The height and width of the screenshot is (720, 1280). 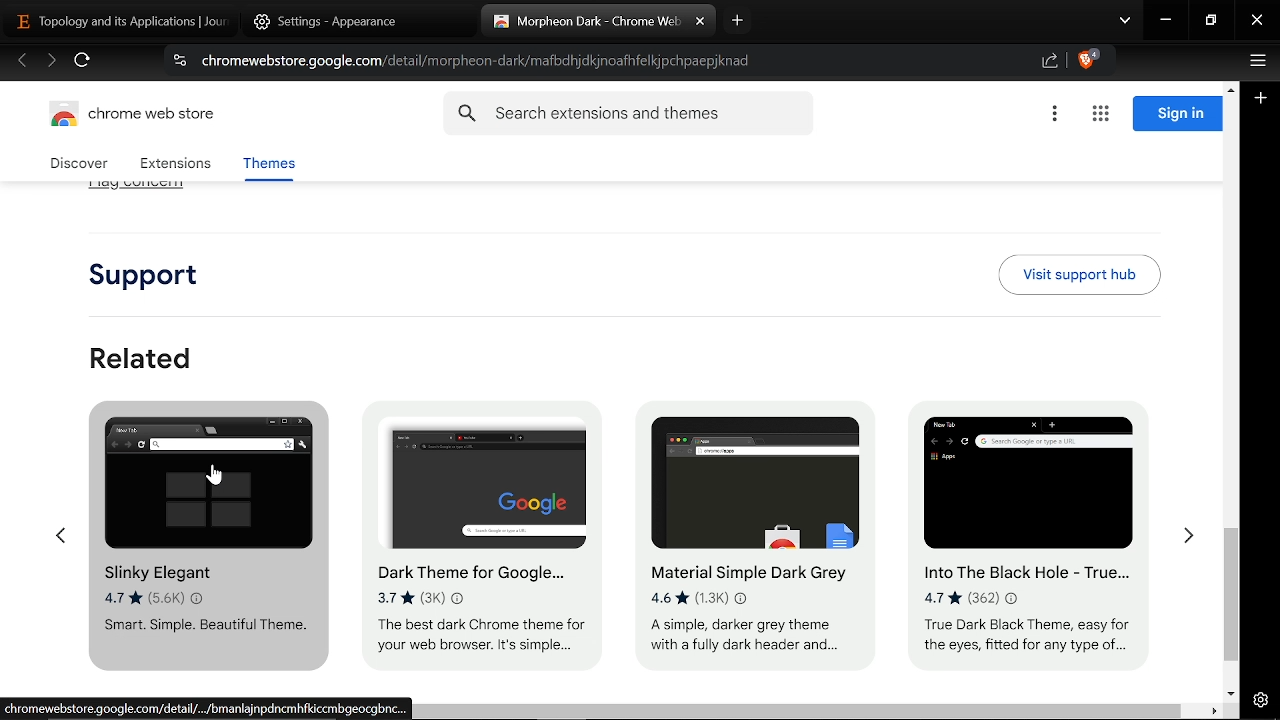 What do you see at coordinates (1088, 62) in the screenshot?
I see `Brave shield` at bounding box center [1088, 62].